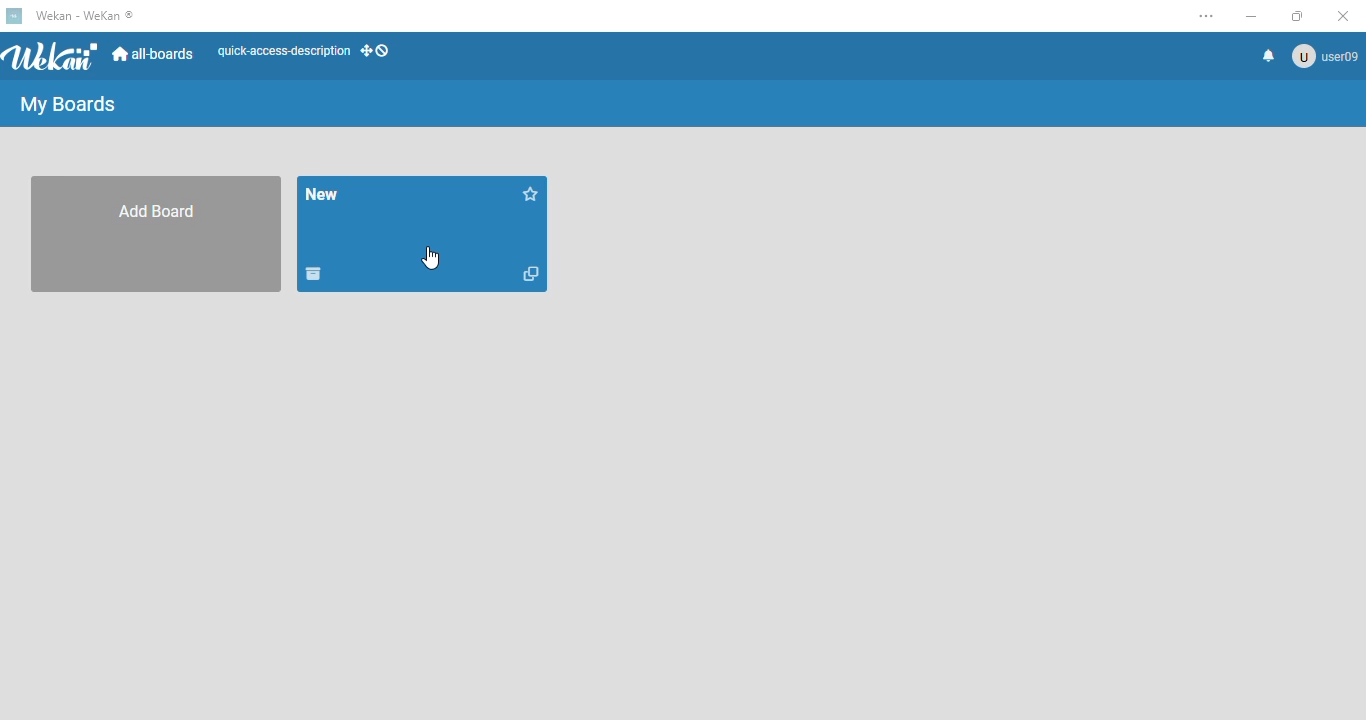 The height and width of the screenshot is (720, 1366). What do you see at coordinates (321, 193) in the screenshot?
I see `board name` at bounding box center [321, 193].